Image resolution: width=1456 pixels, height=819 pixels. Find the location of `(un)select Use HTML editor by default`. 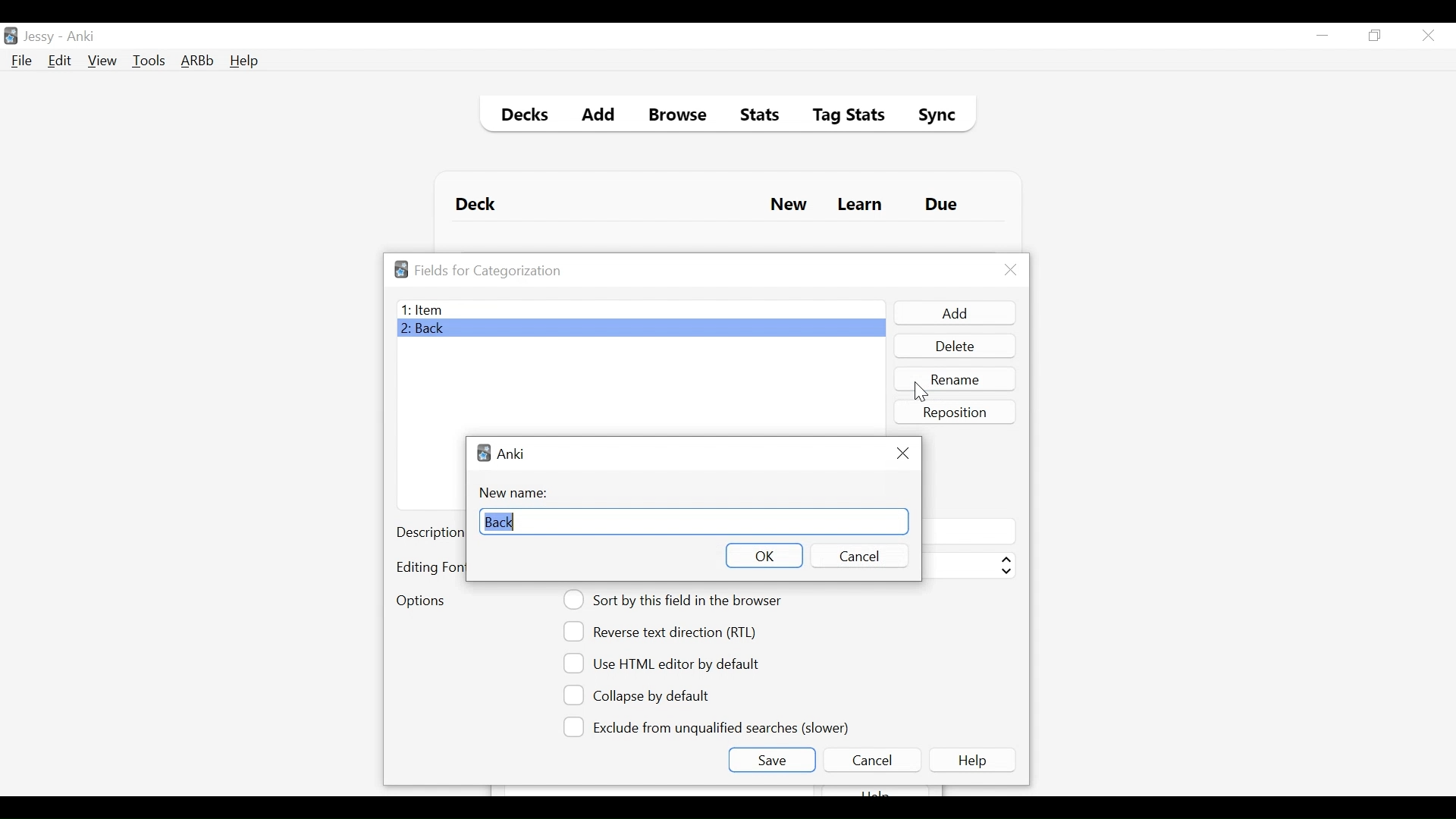

(un)select Use HTML editor by default is located at coordinates (666, 663).